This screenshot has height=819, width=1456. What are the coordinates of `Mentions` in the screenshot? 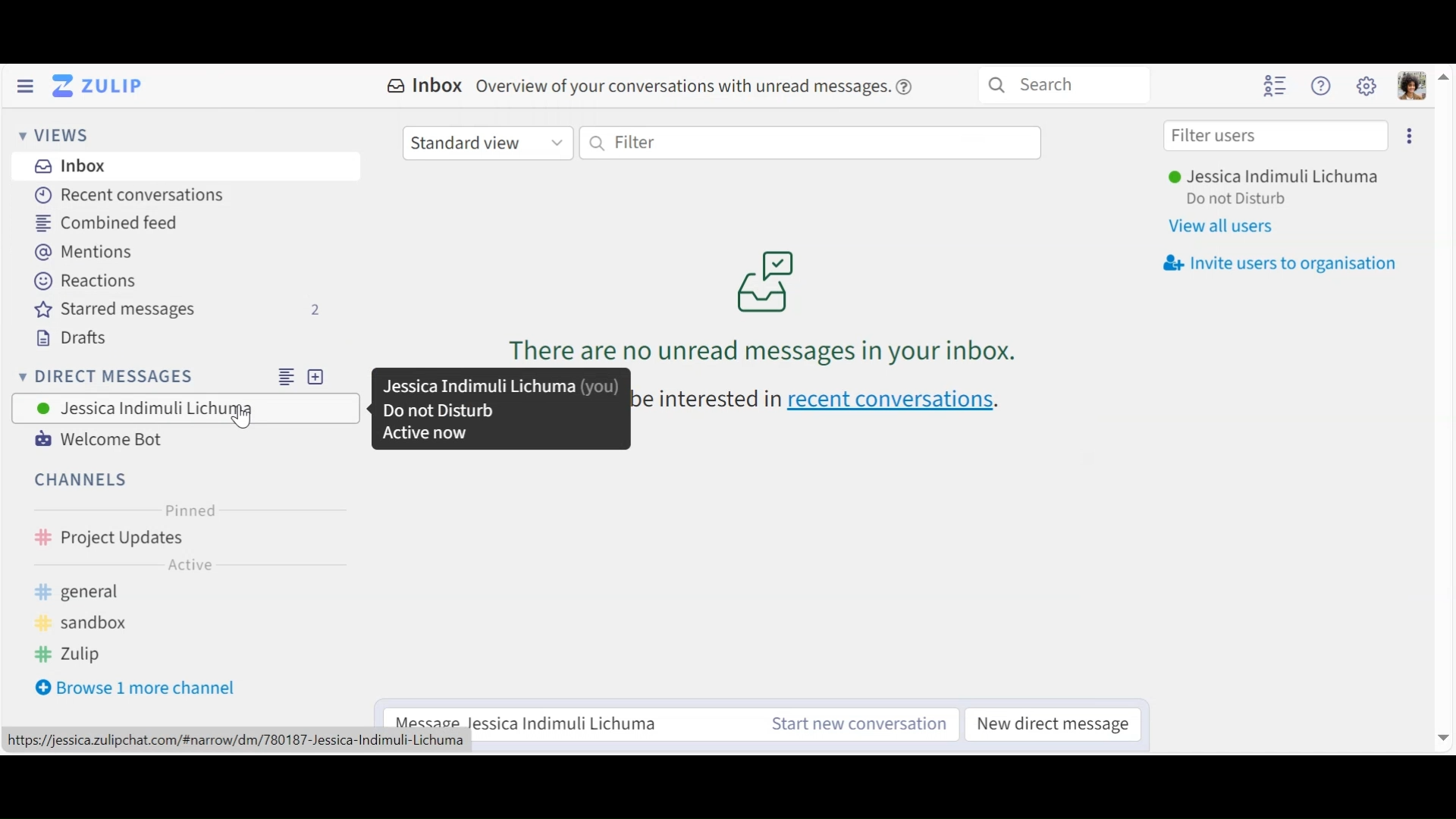 It's located at (86, 253).